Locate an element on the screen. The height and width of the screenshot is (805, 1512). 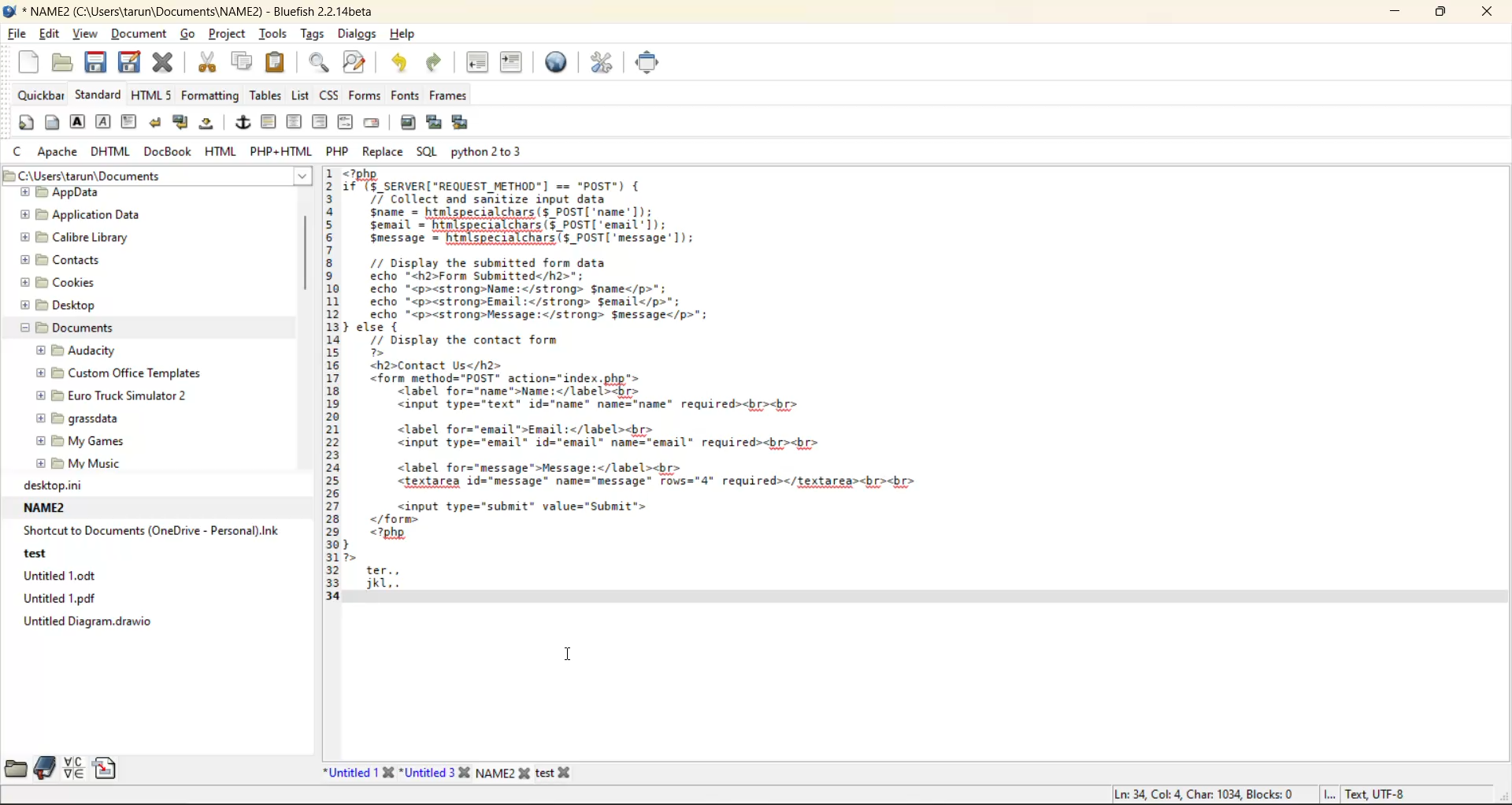
fullscreen is located at coordinates (652, 63).